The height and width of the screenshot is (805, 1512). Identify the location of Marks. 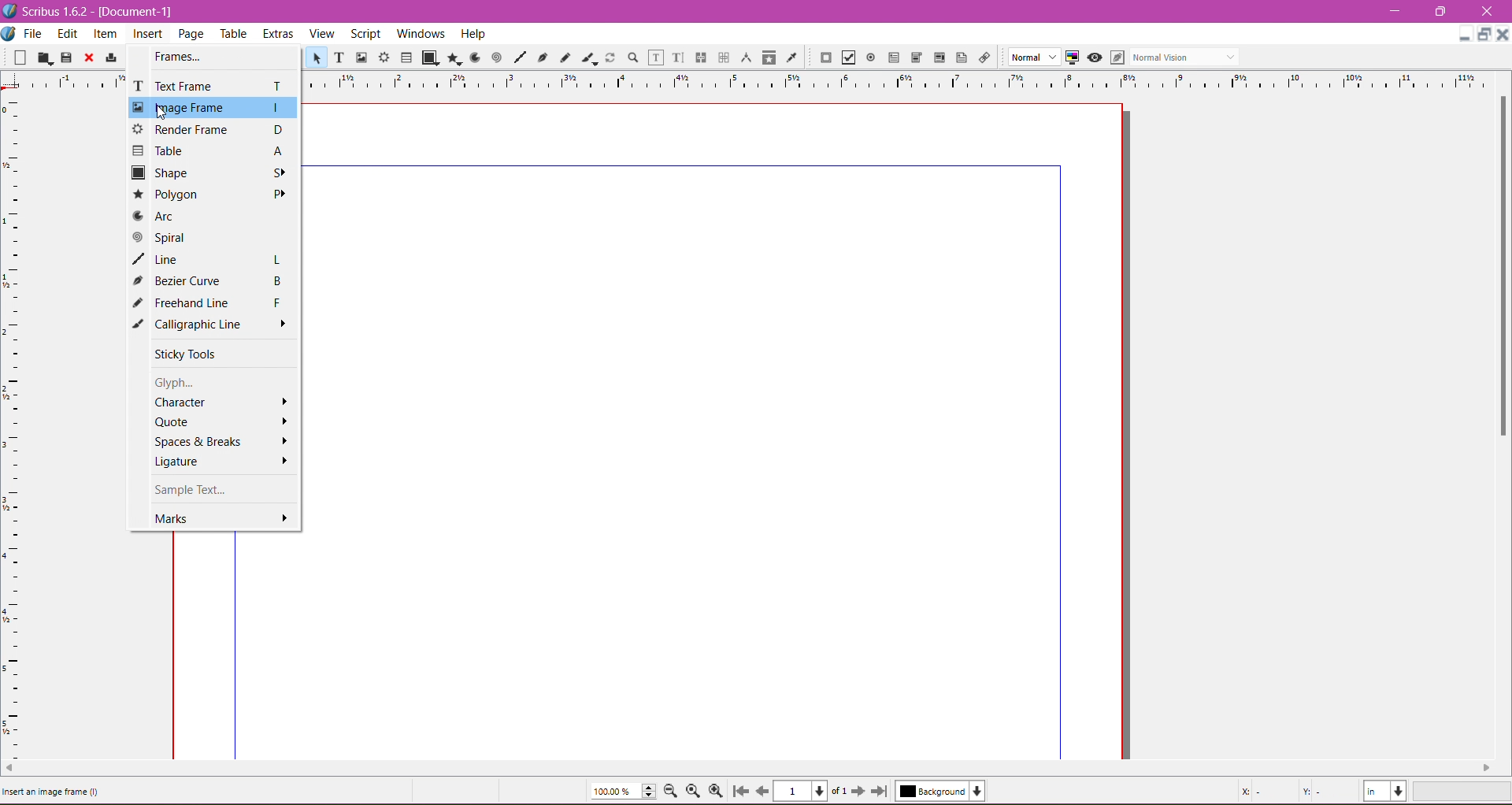
(222, 518).